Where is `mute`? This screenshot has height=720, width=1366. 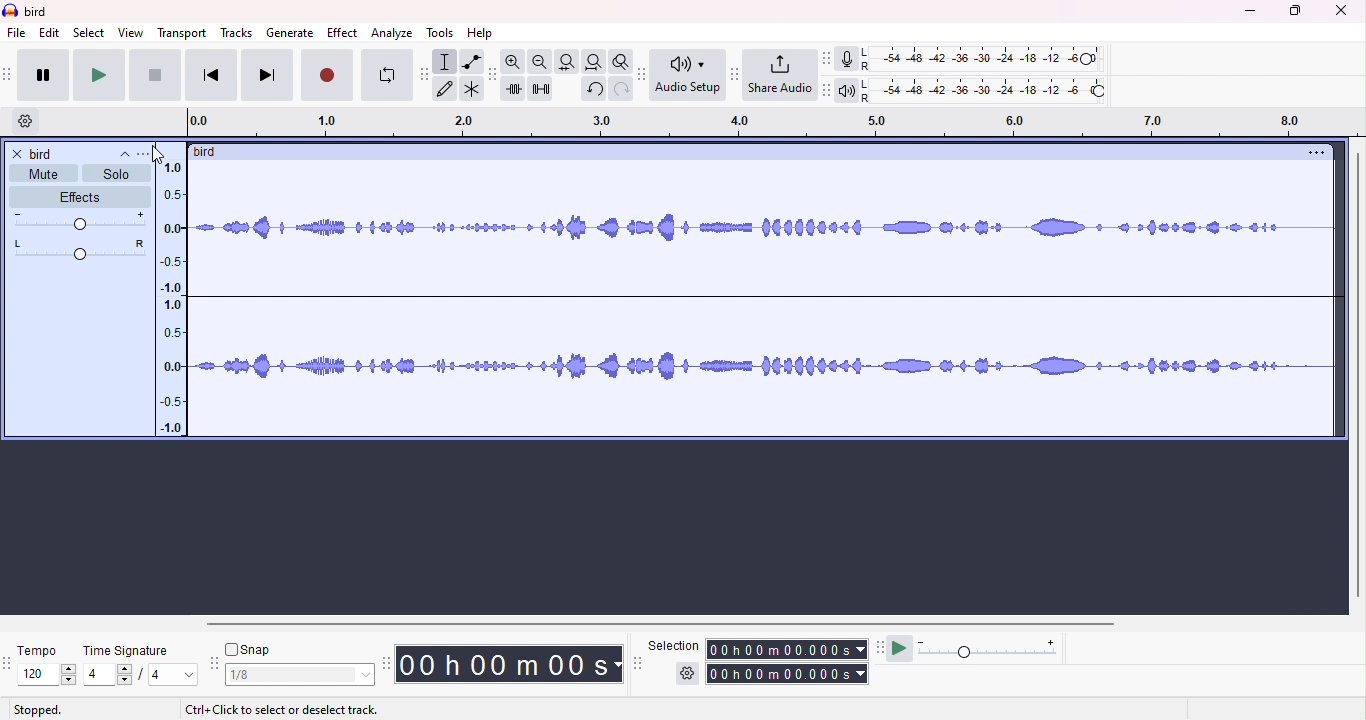
mute is located at coordinates (41, 174).